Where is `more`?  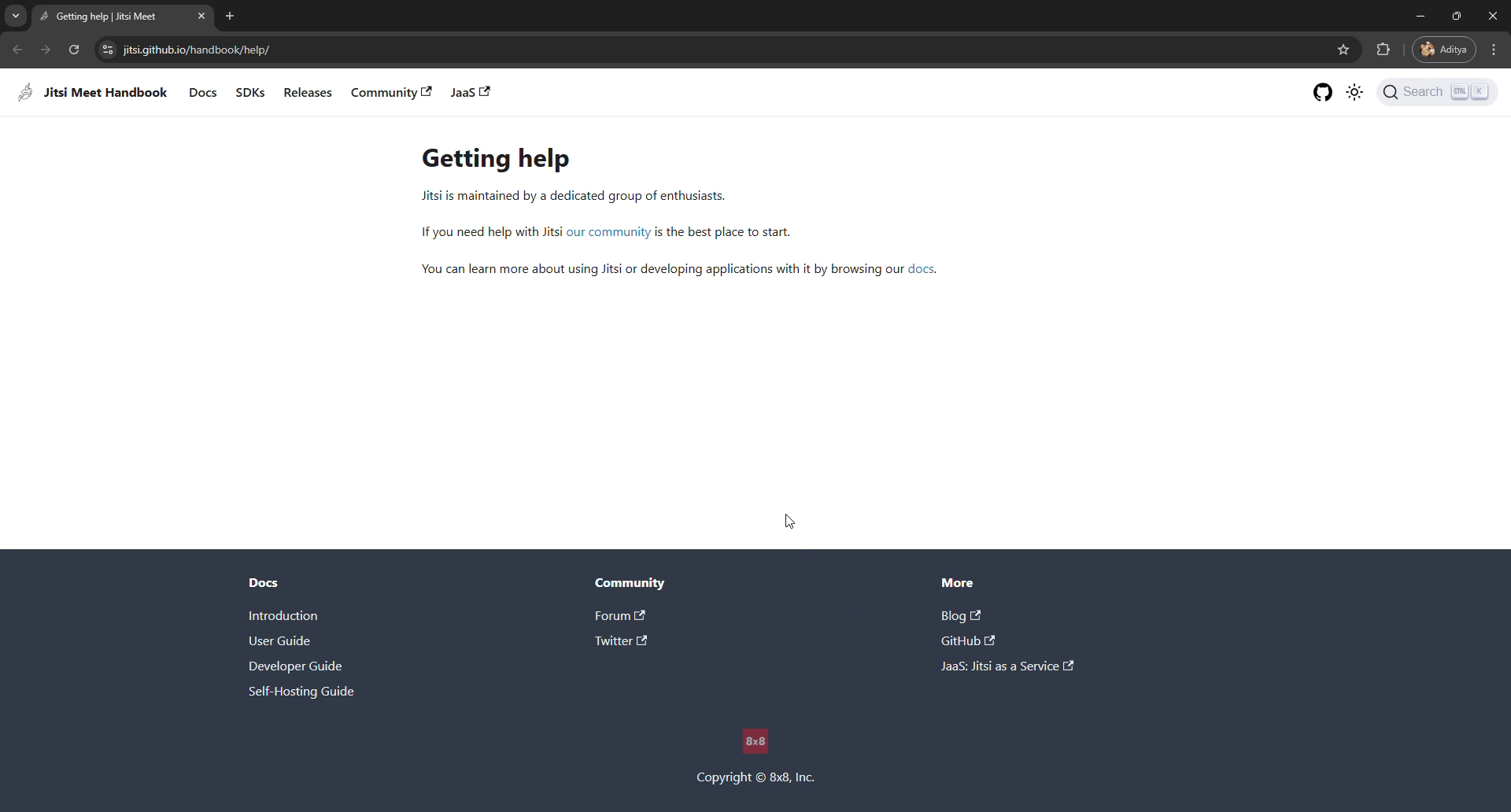 more is located at coordinates (962, 583).